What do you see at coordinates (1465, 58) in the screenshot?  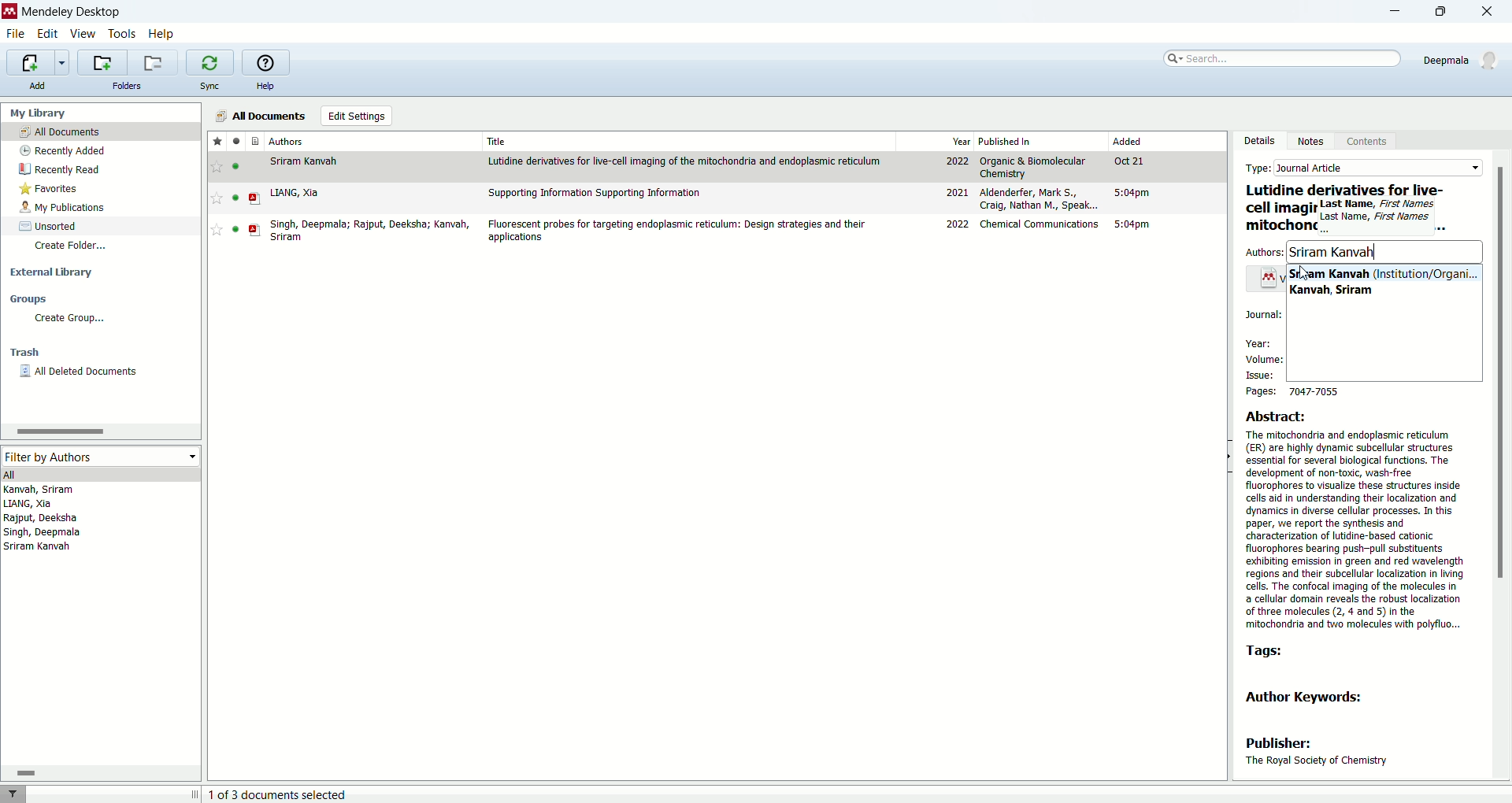 I see `account` at bounding box center [1465, 58].